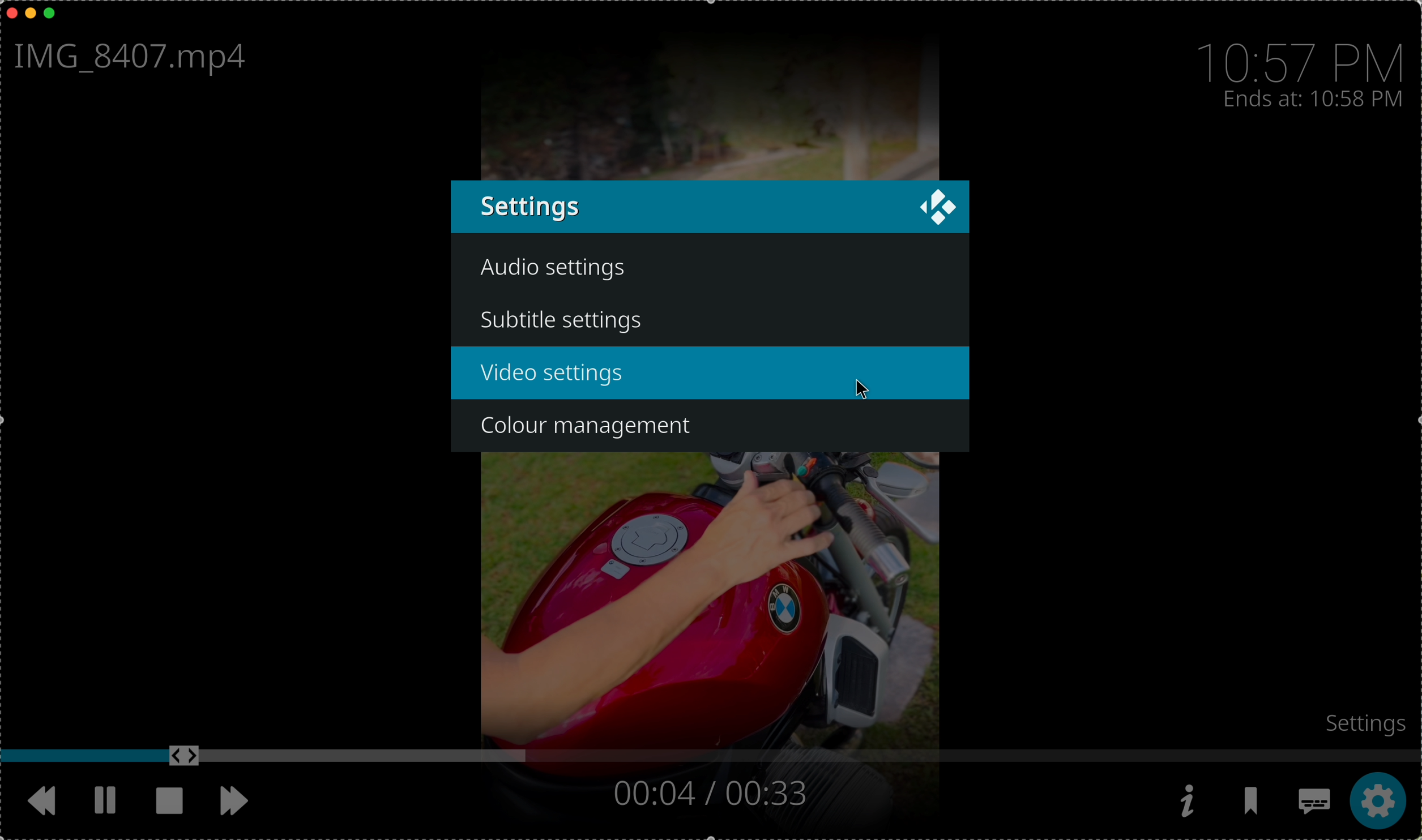 This screenshot has width=1422, height=840. What do you see at coordinates (595, 428) in the screenshot?
I see `colour management` at bounding box center [595, 428].